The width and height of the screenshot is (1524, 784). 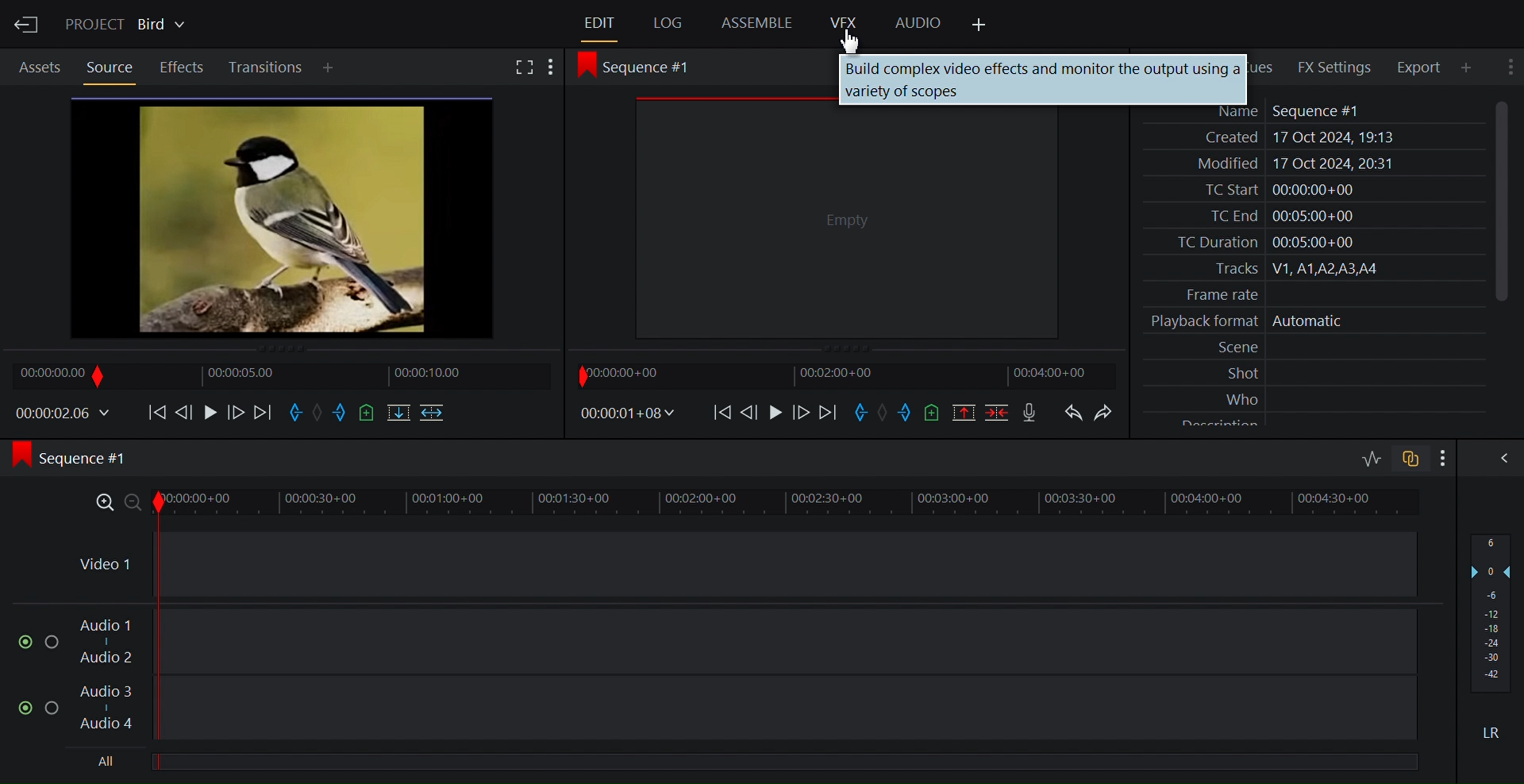 I want to click on Redo, so click(x=1103, y=413).